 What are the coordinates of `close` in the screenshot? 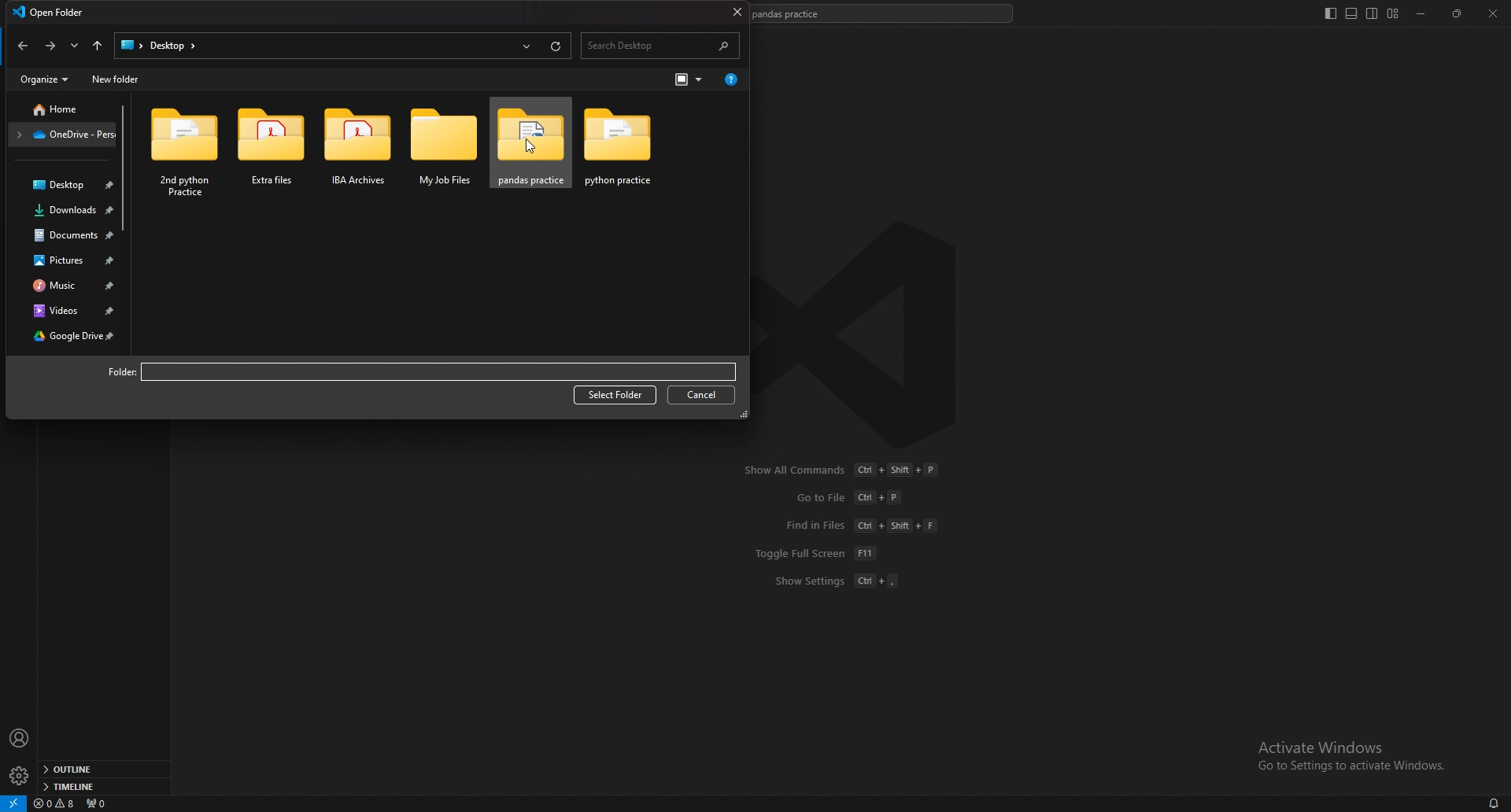 It's located at (1493, 13).